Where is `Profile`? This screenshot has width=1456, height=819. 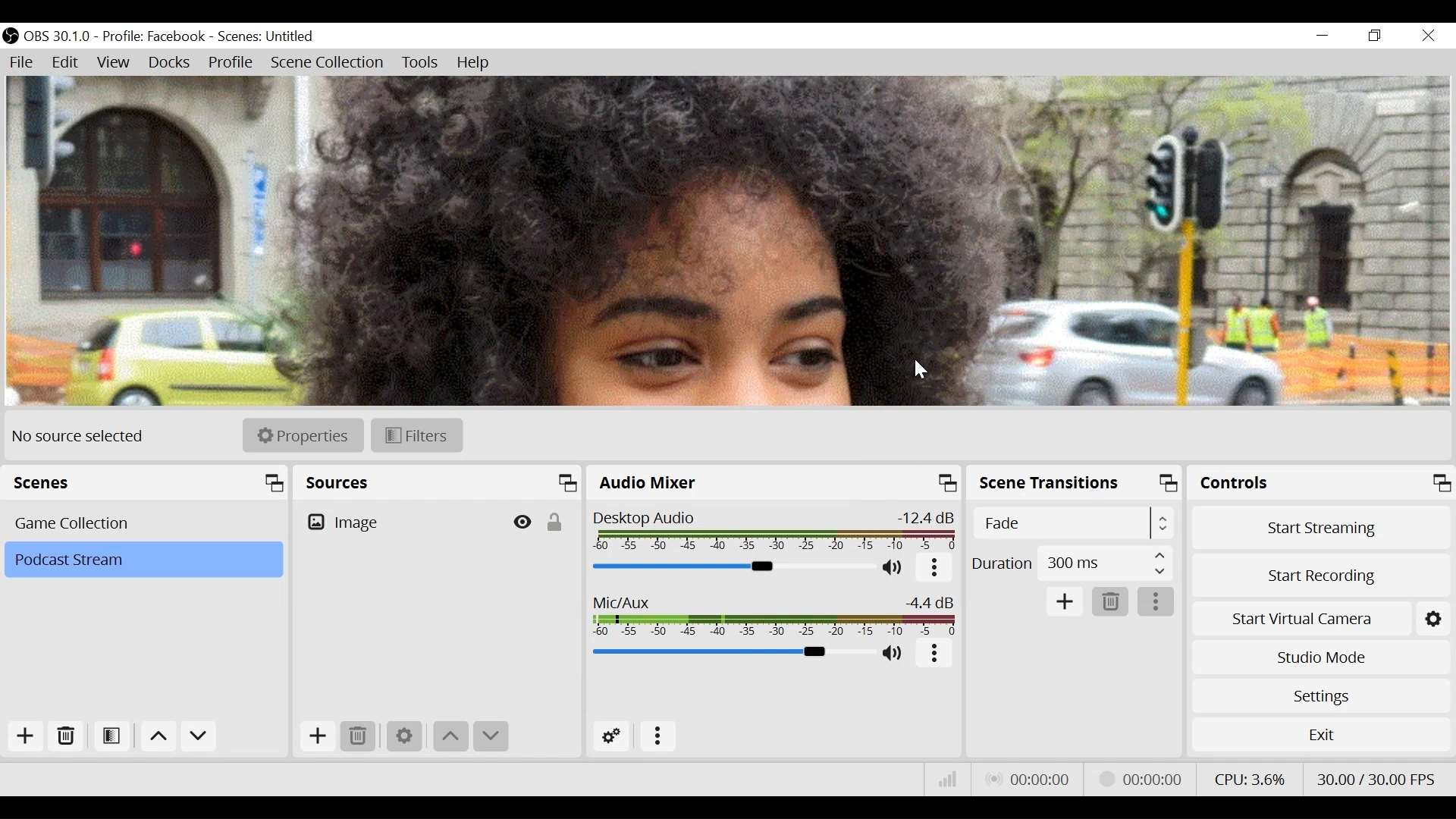 Profile is located at coordinates (155, 37).